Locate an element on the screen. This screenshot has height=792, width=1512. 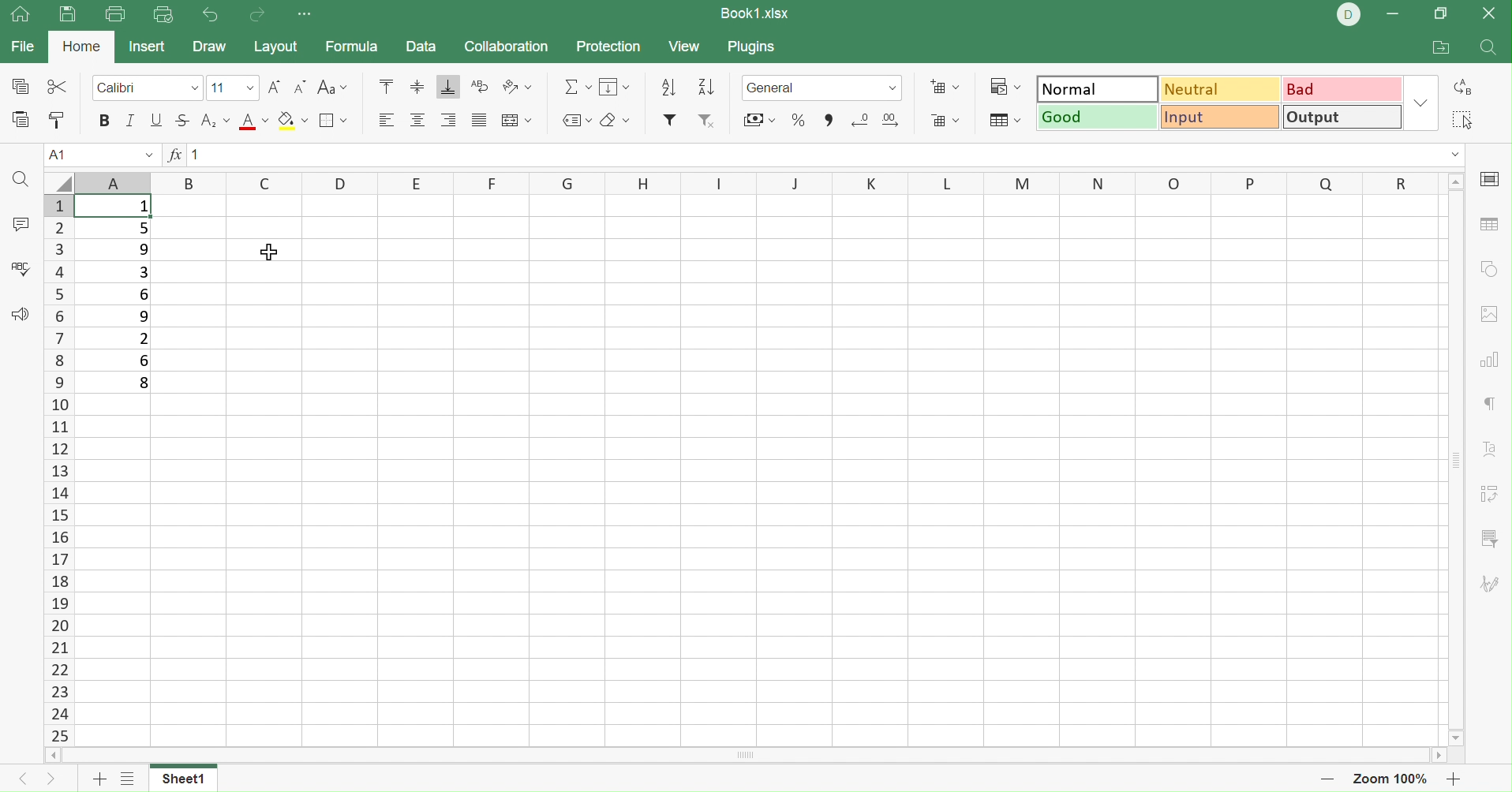
Add cells is located at coordinates (943, 85).